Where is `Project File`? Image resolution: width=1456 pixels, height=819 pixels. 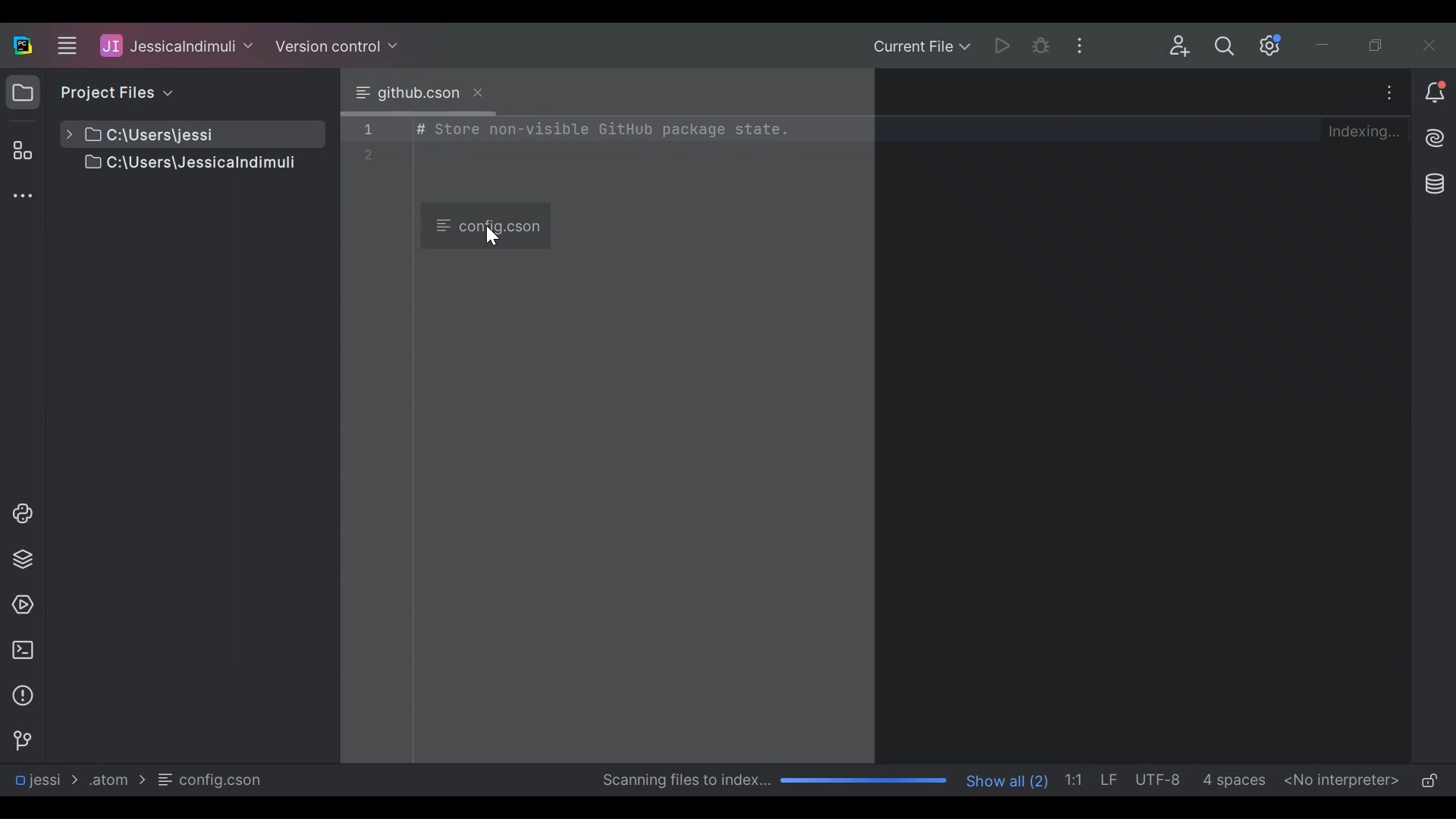 Project File is located at coordinates (174, 134).